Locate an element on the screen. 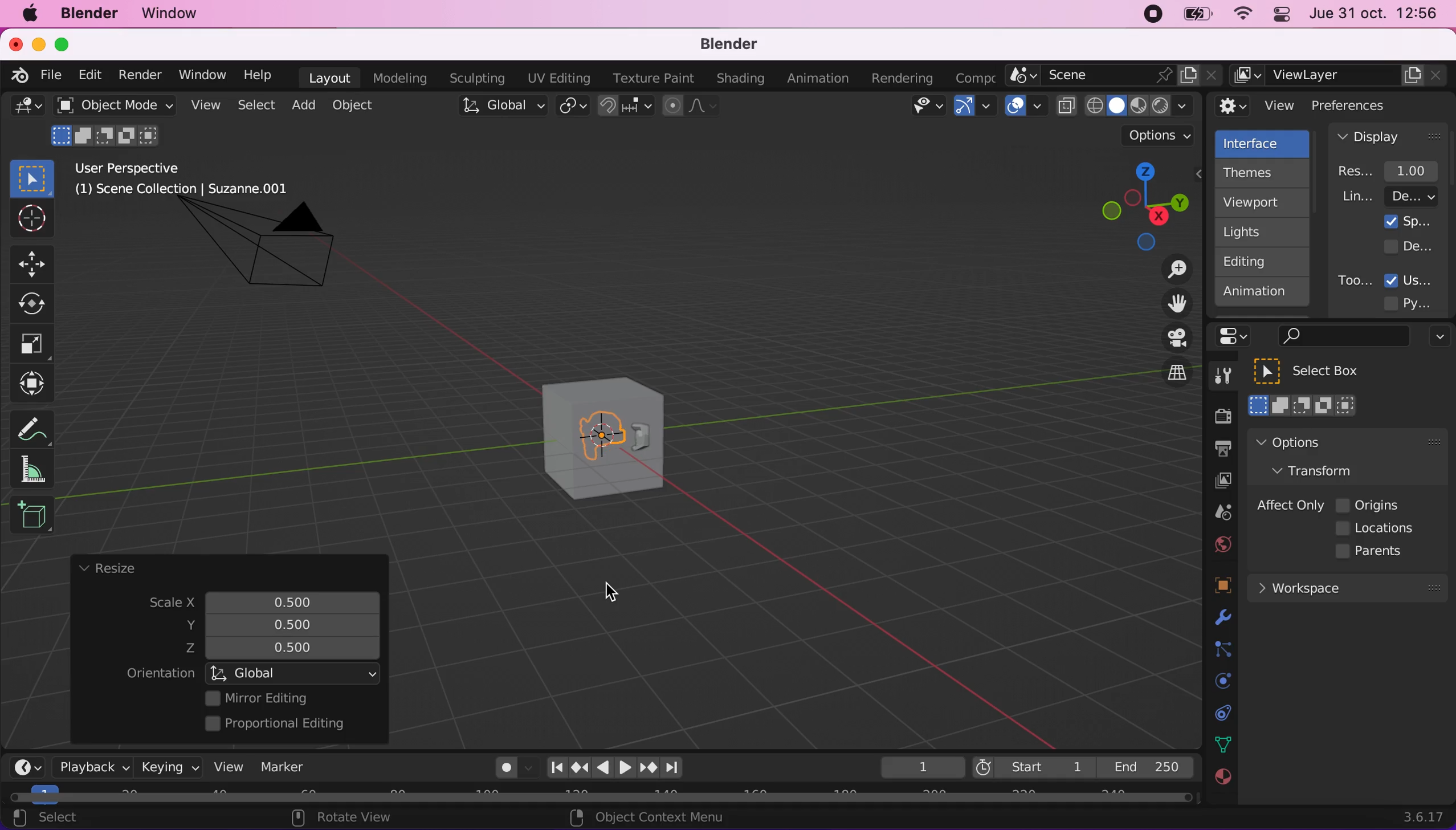  line width is located at coordinates (1389, 196).